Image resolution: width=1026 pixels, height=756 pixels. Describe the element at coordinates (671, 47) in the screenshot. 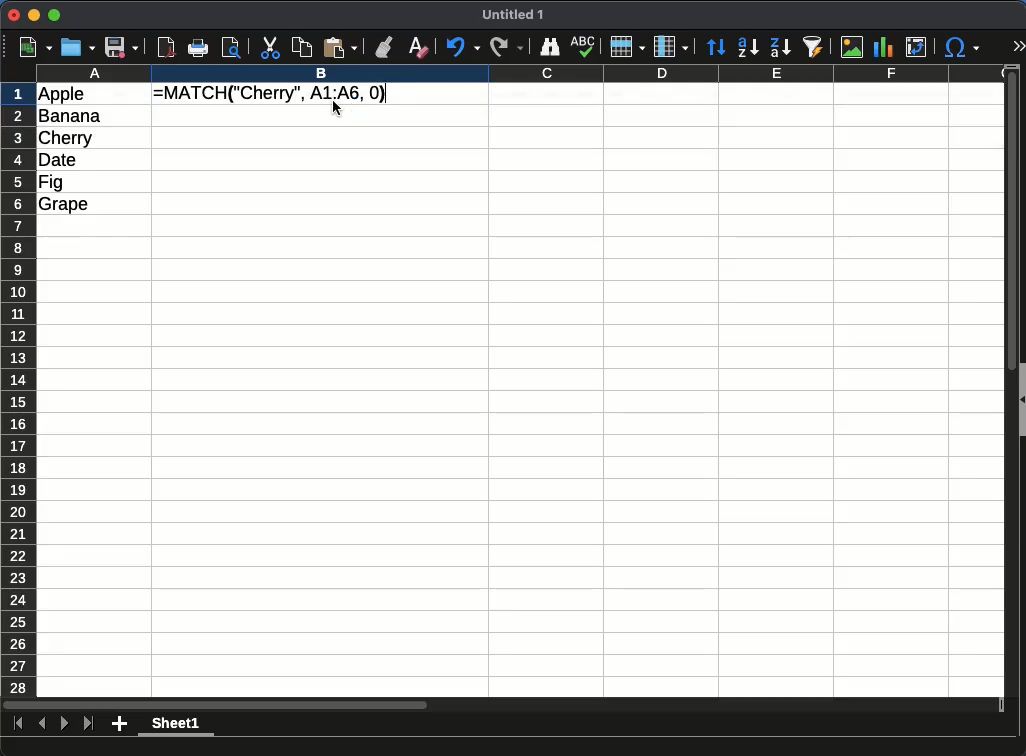

I see `column` at that location.